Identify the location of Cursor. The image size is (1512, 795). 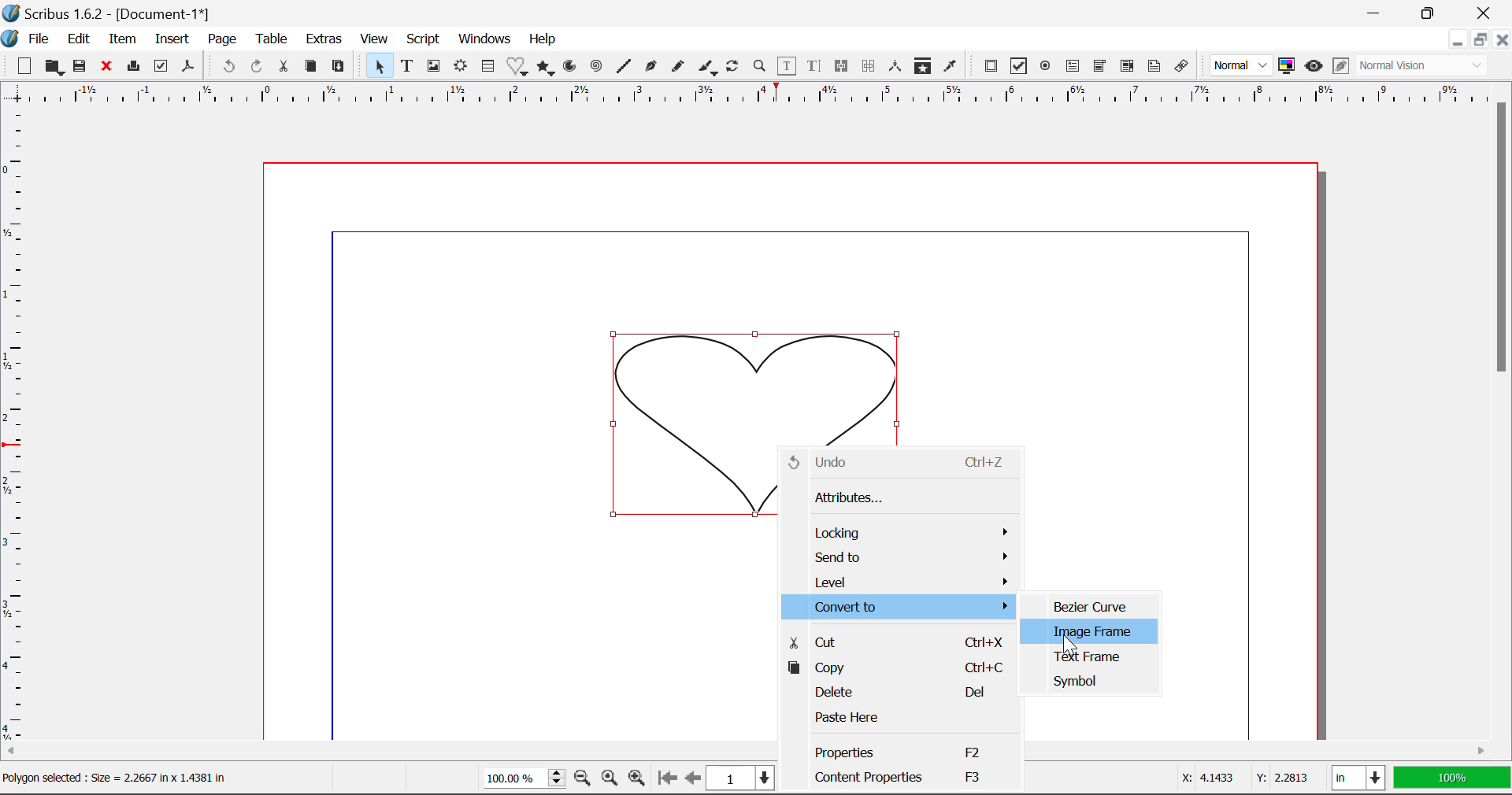
(1072, 643).